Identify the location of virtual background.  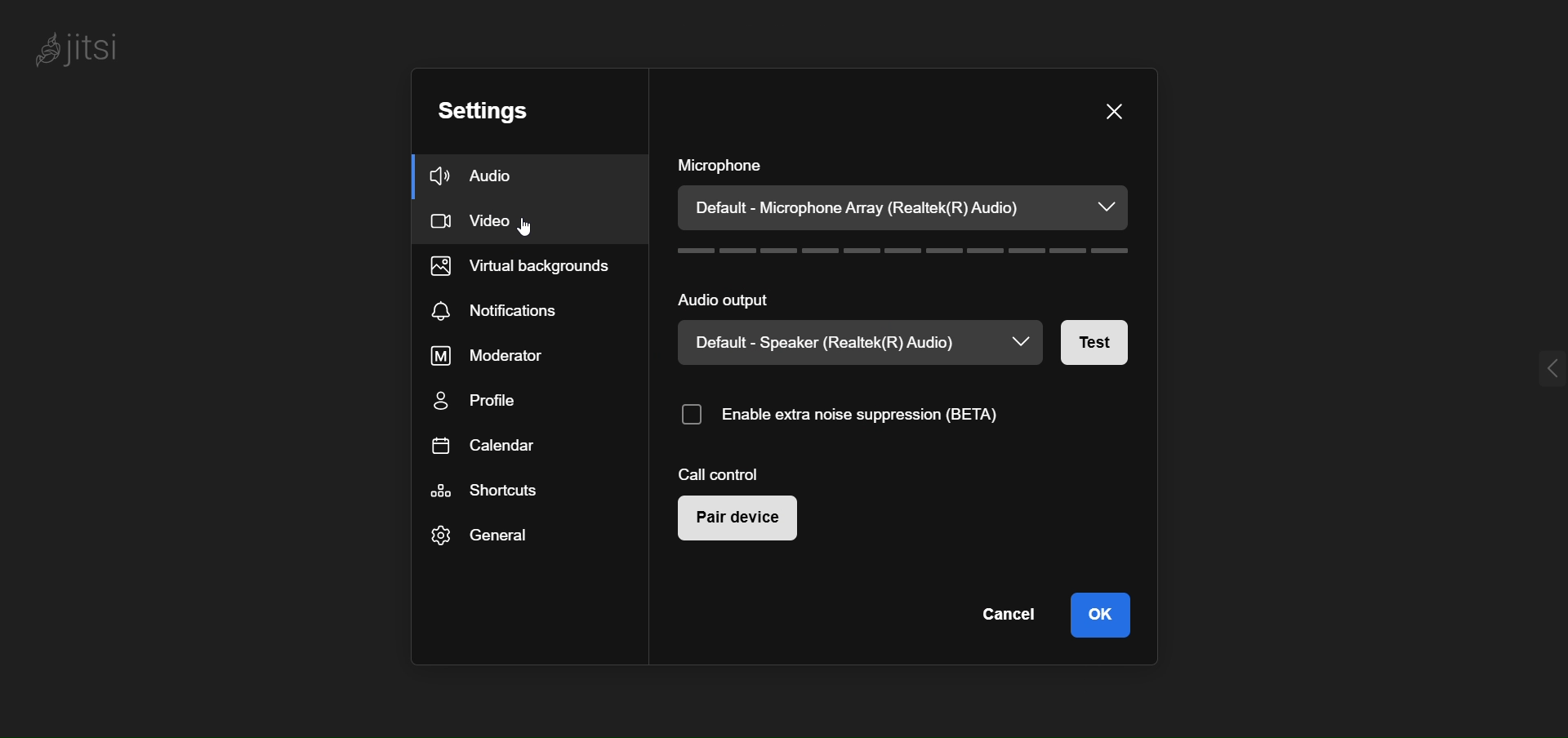
(530, 269).